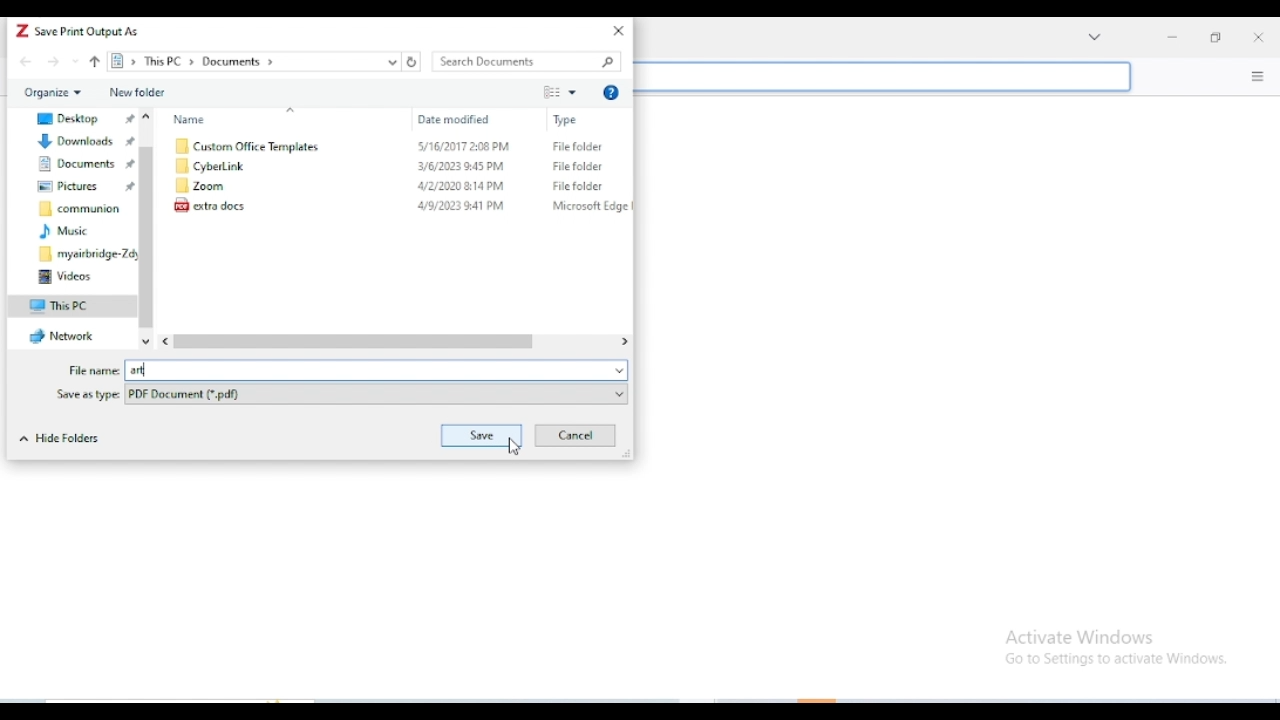 The image size is (1280, 720). I want to click on recent locations, so click(76, 61).